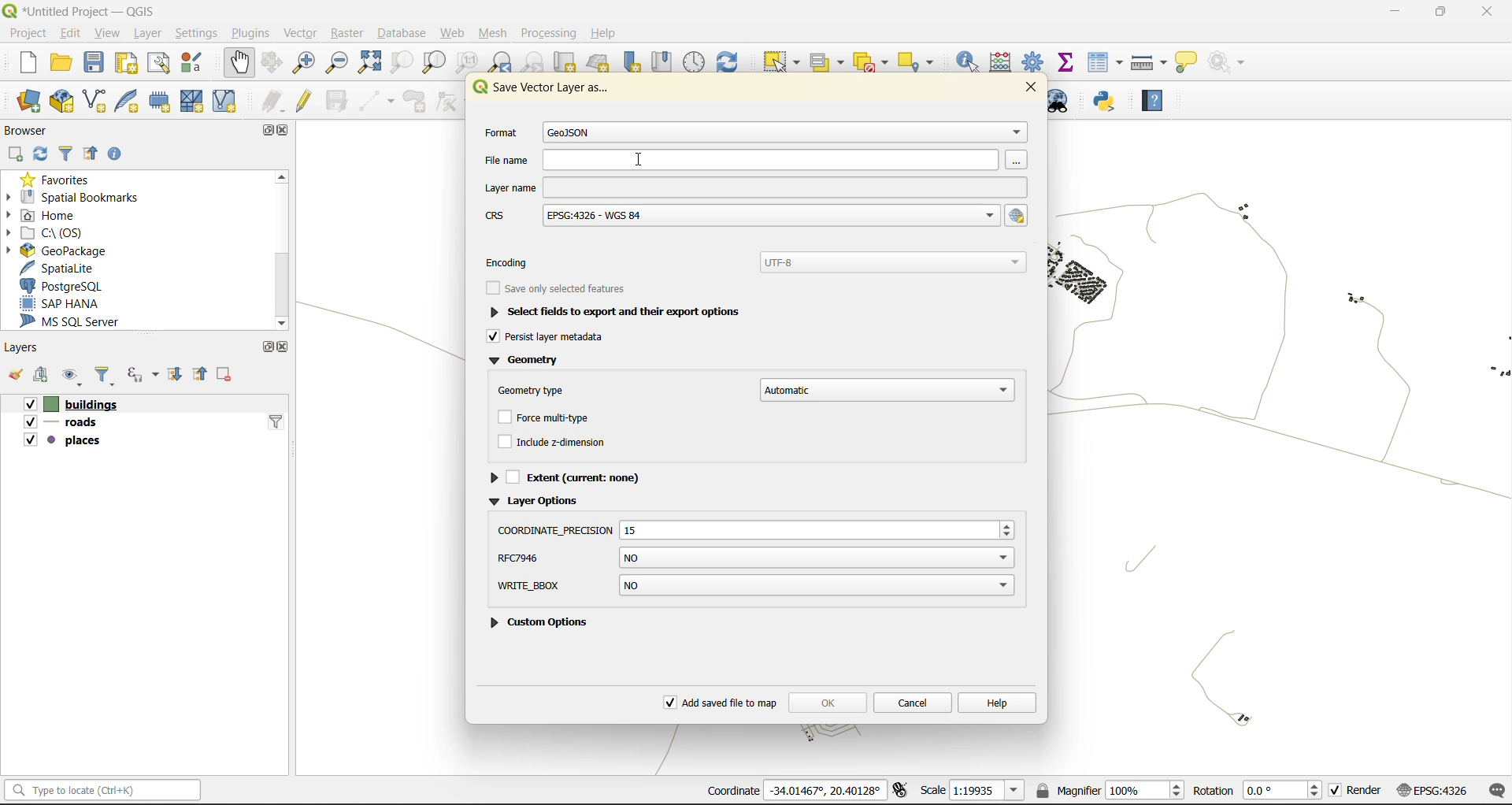  I want to click on rotation, so click(1258, 791).